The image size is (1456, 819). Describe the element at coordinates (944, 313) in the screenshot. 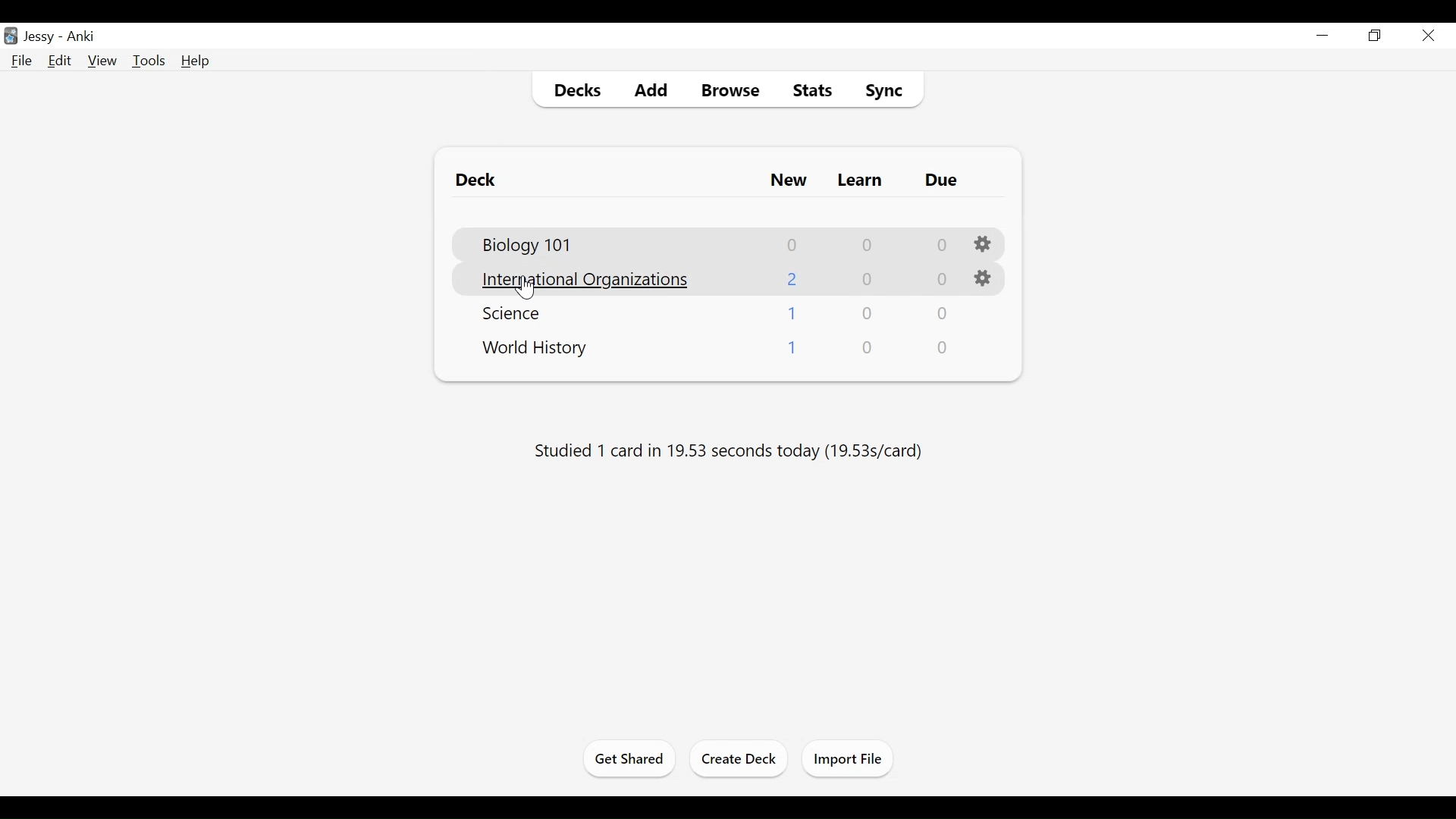

I see `Due Cards Count"` at that location.